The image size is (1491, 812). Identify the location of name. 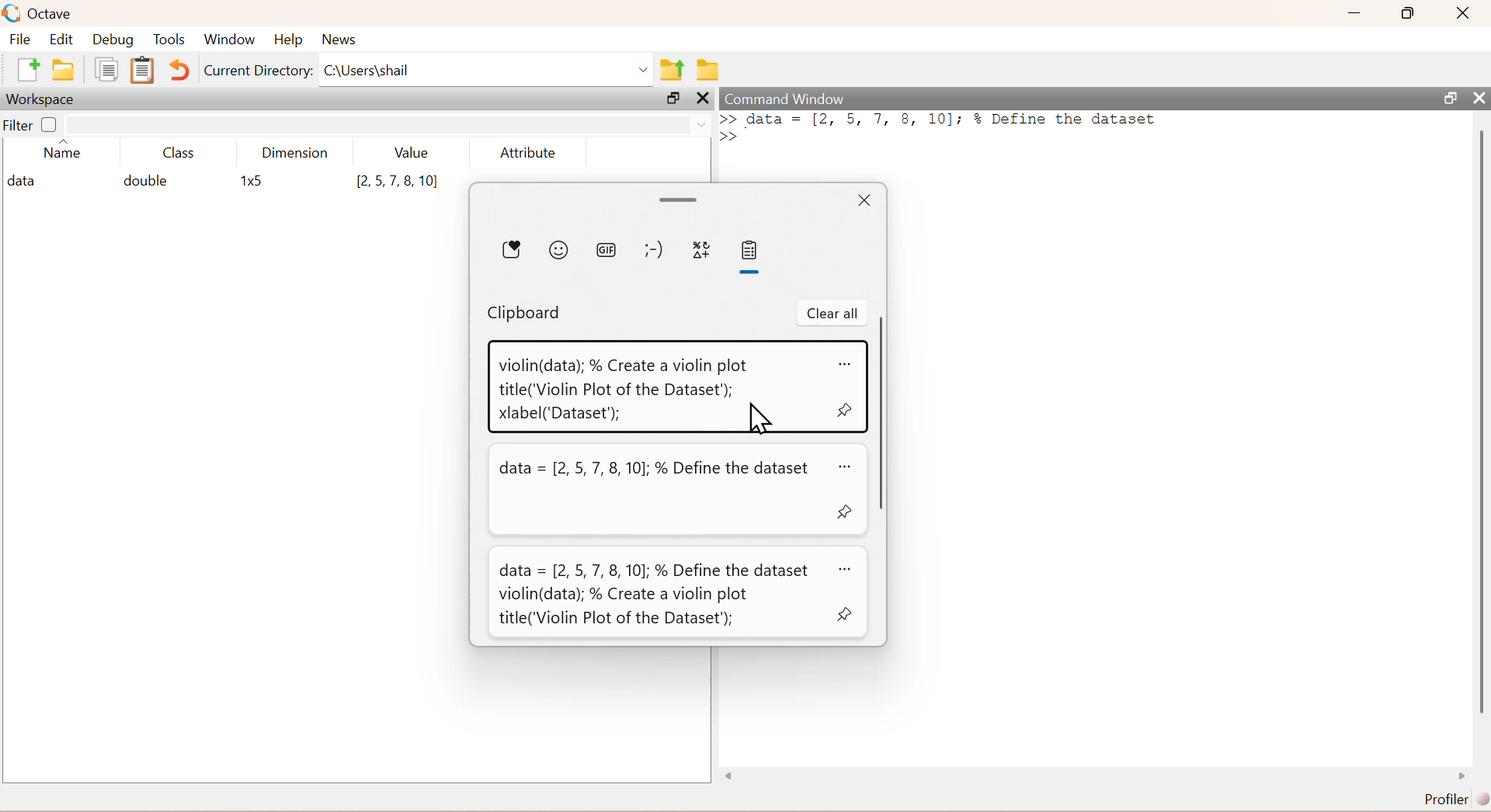
(63, 152).